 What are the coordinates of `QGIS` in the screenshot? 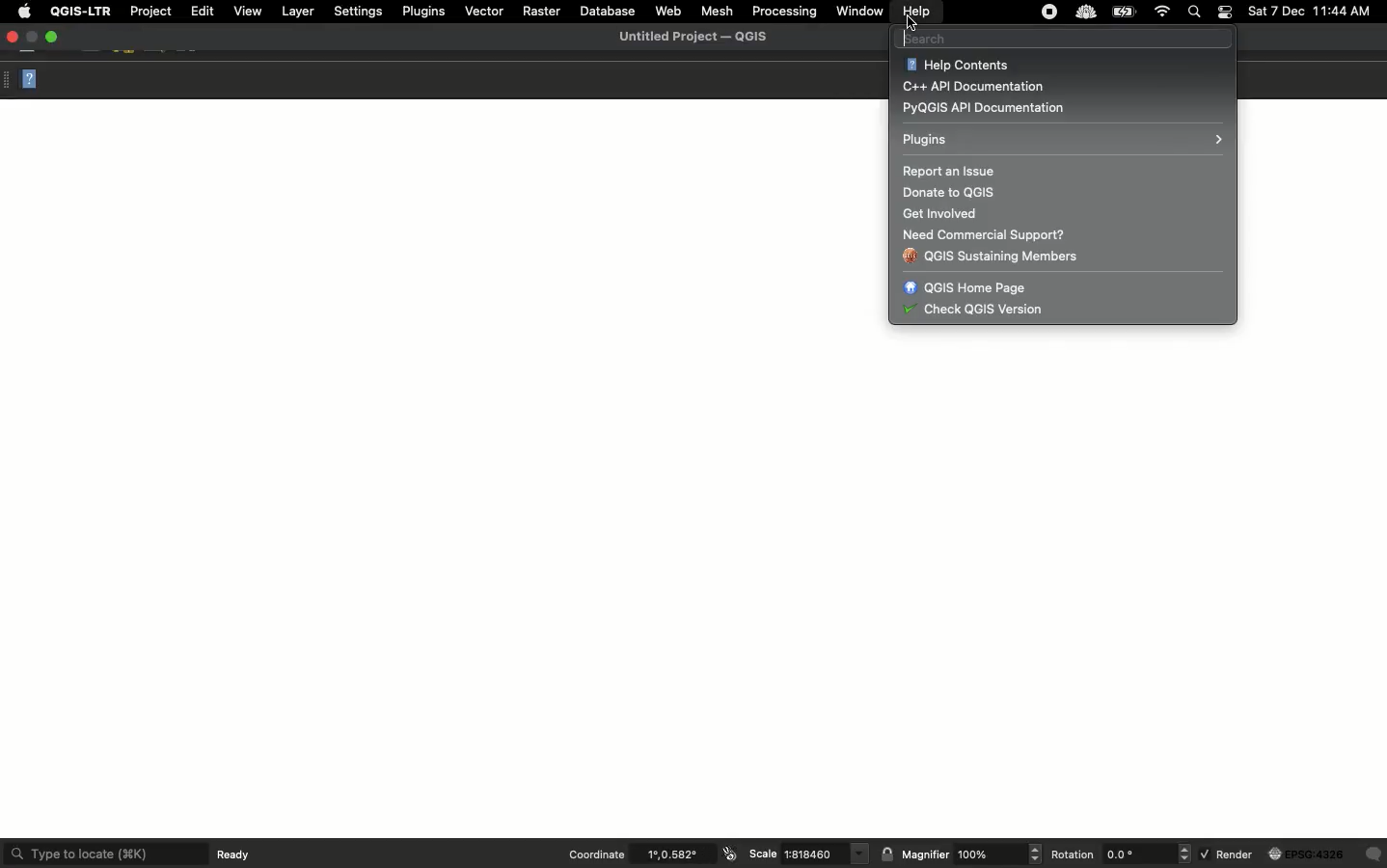 It's located at (973, 312).